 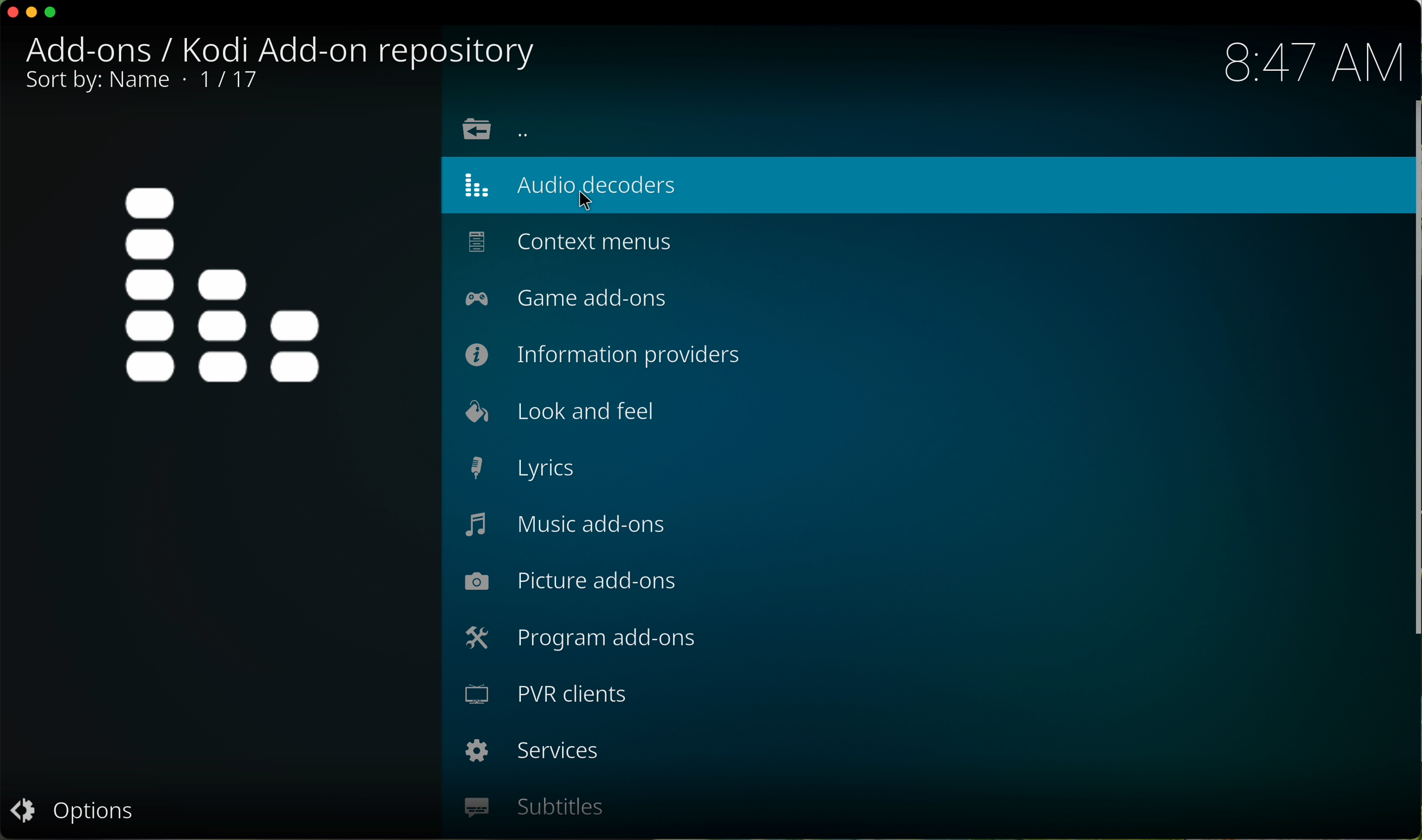 What do you see at coordinates (1311, 61) in the screenshot?
I see `hour` at bounding box center [1311, 61].